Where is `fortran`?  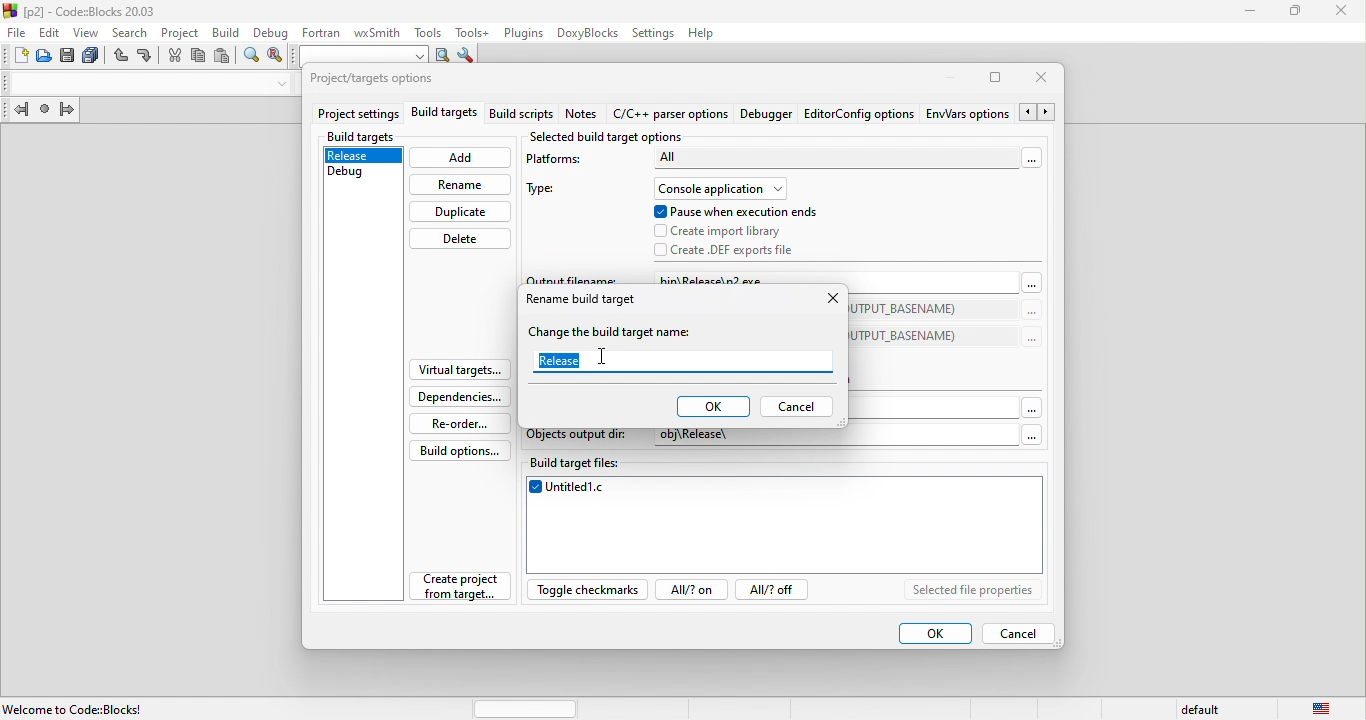
fortran is located at coordinates (318, 31).